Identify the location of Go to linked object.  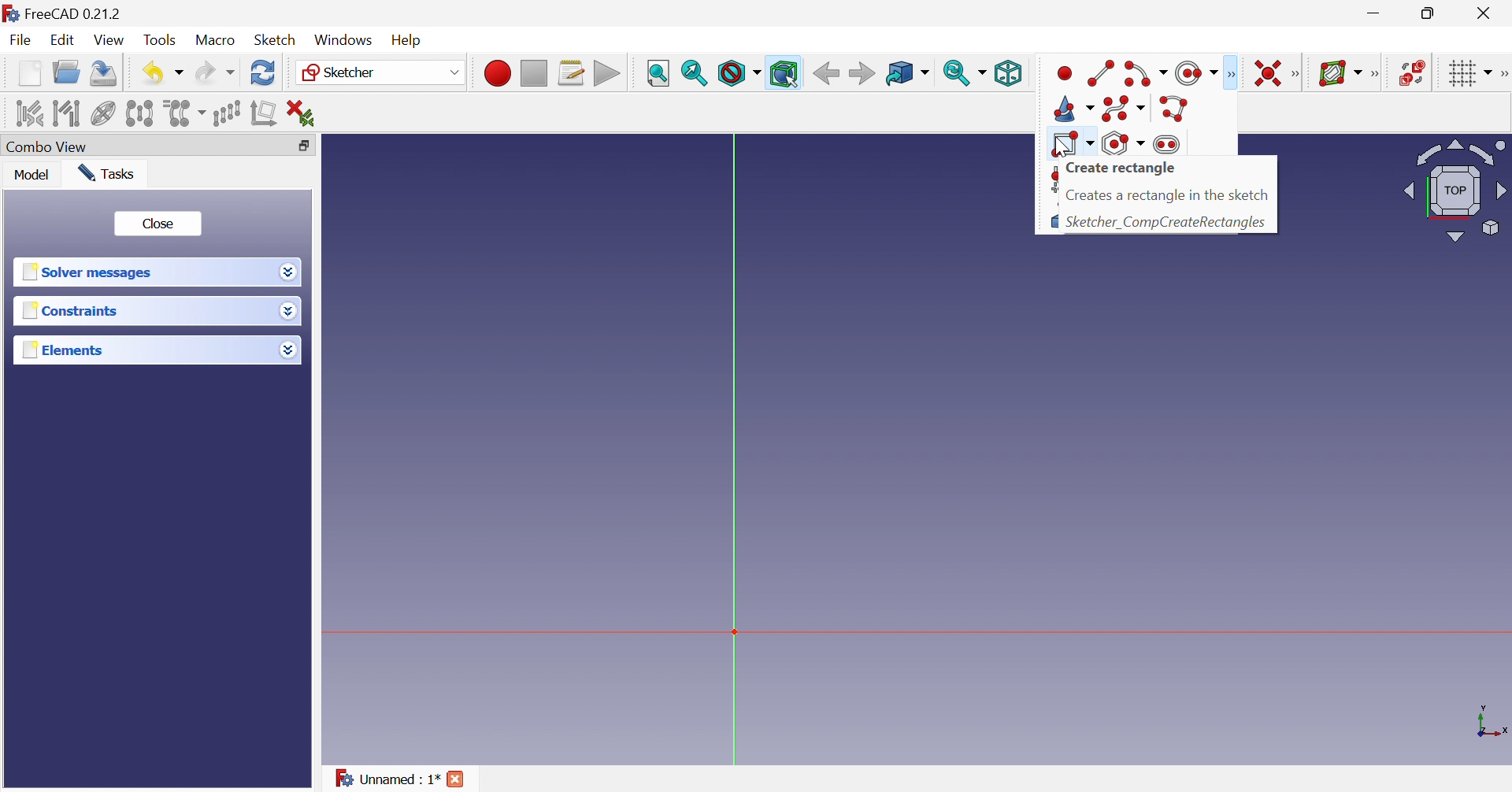
(906, 74).